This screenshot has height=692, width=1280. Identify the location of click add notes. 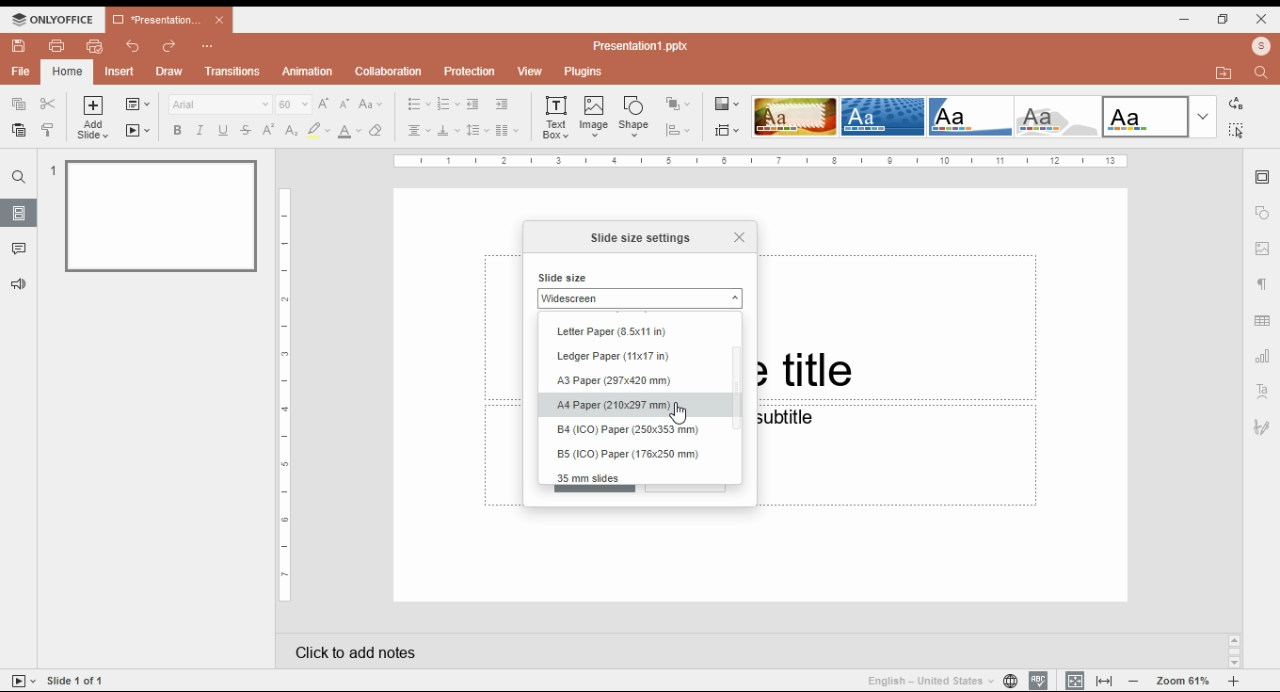
(352, 648).